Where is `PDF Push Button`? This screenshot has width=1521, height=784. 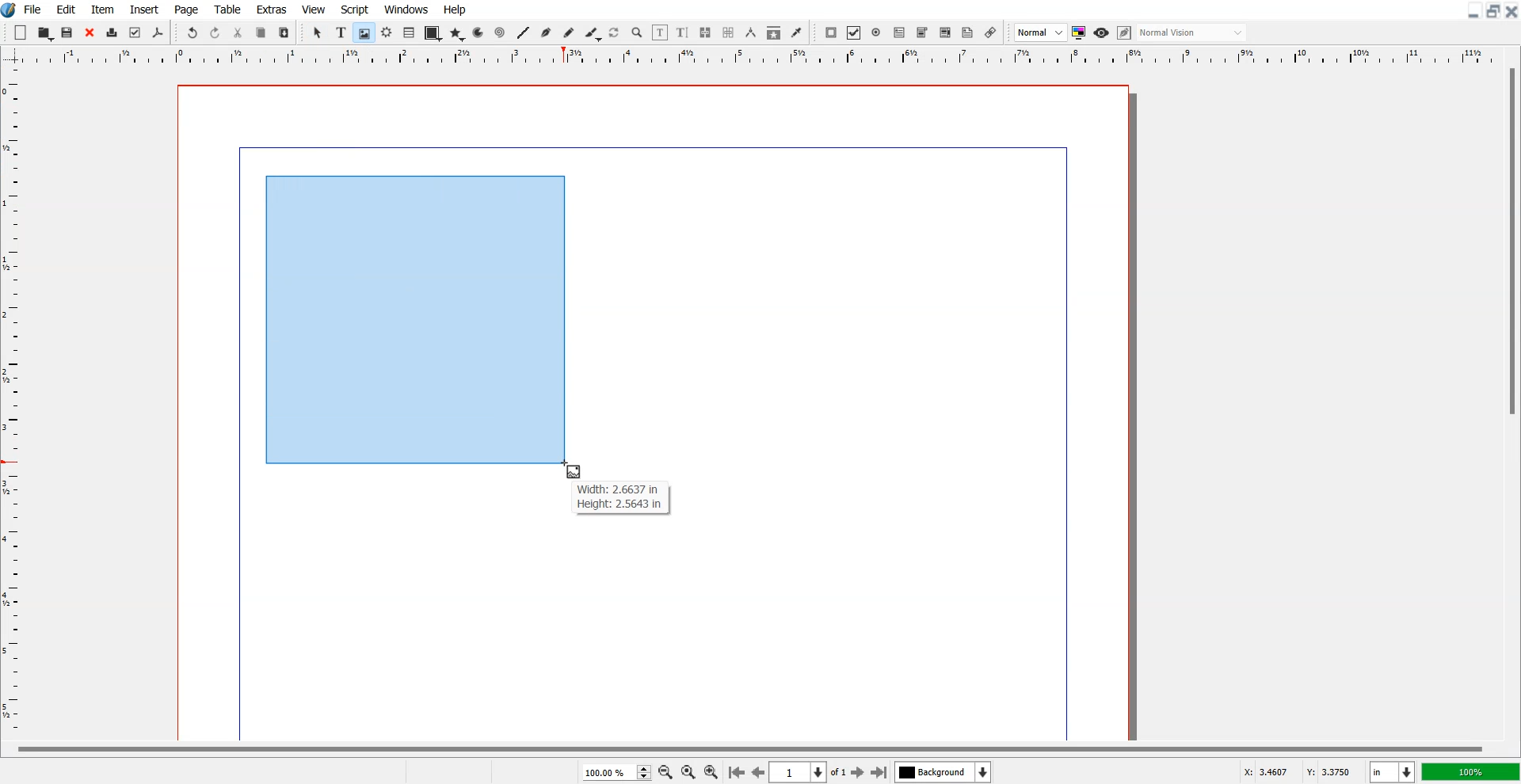
PDF Push Button is located at coordinates (832, 32).